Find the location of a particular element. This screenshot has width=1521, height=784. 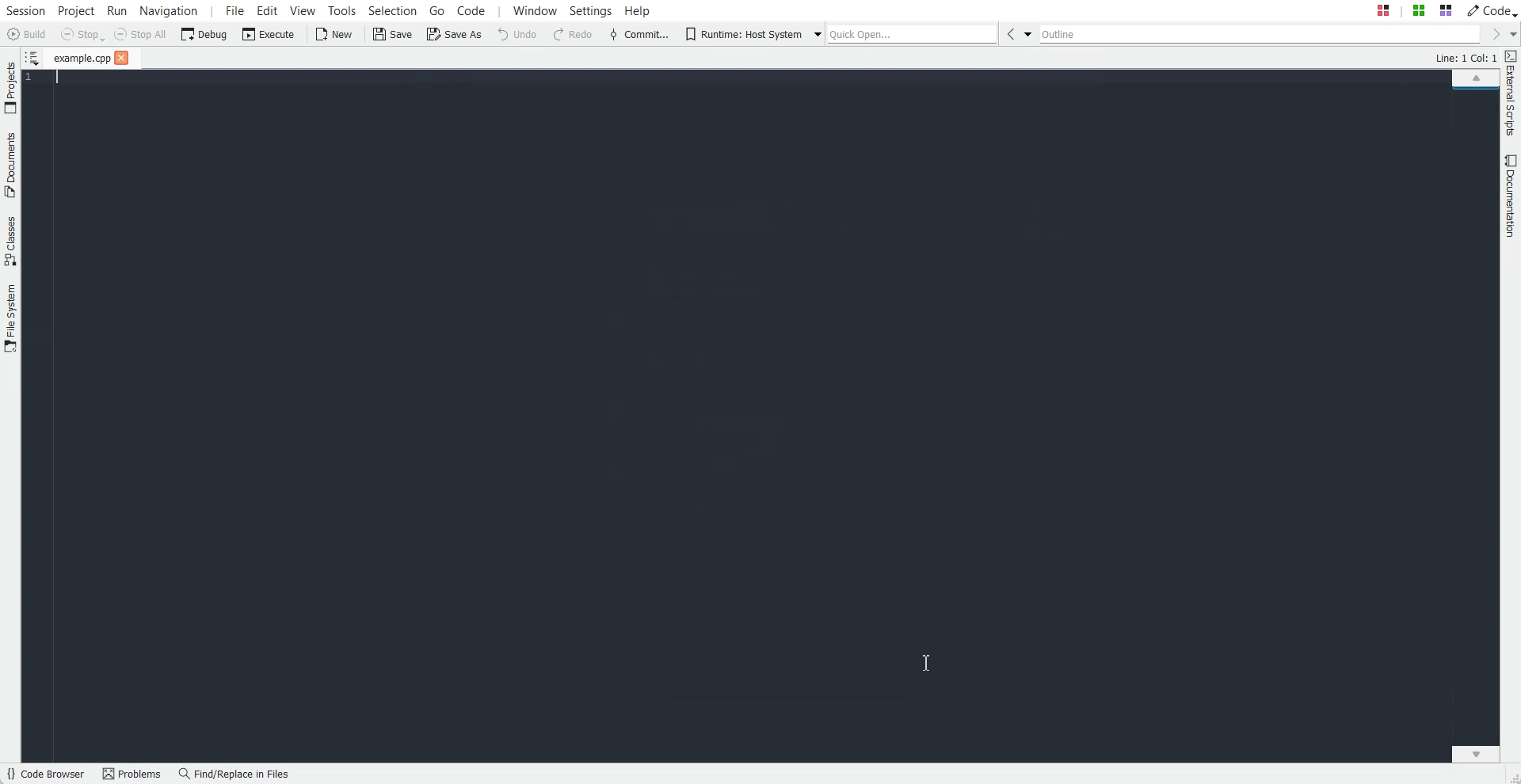

Stop All is located at coordinates (141, 34).